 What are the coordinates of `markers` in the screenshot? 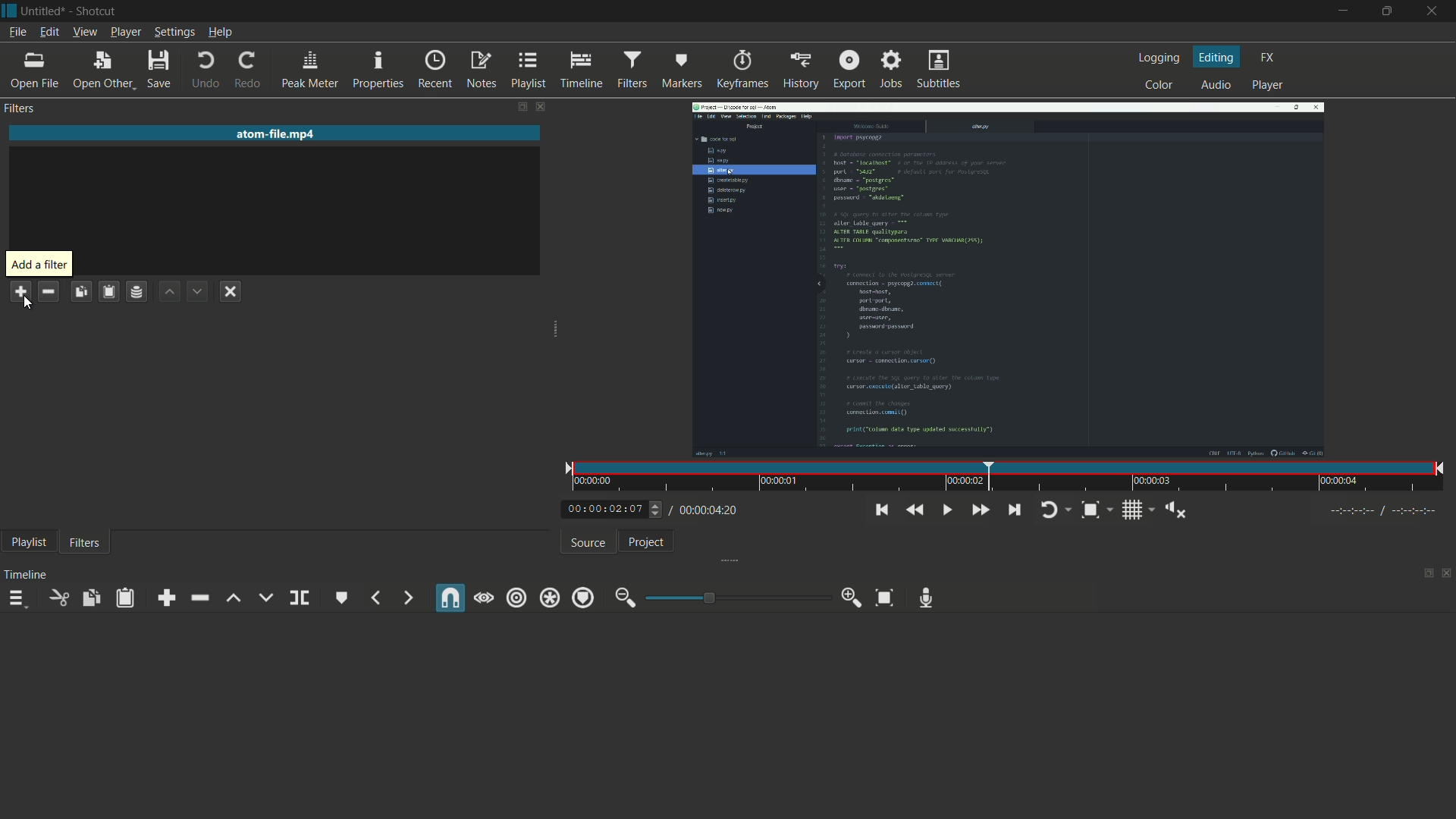 It's located at (681, 71).